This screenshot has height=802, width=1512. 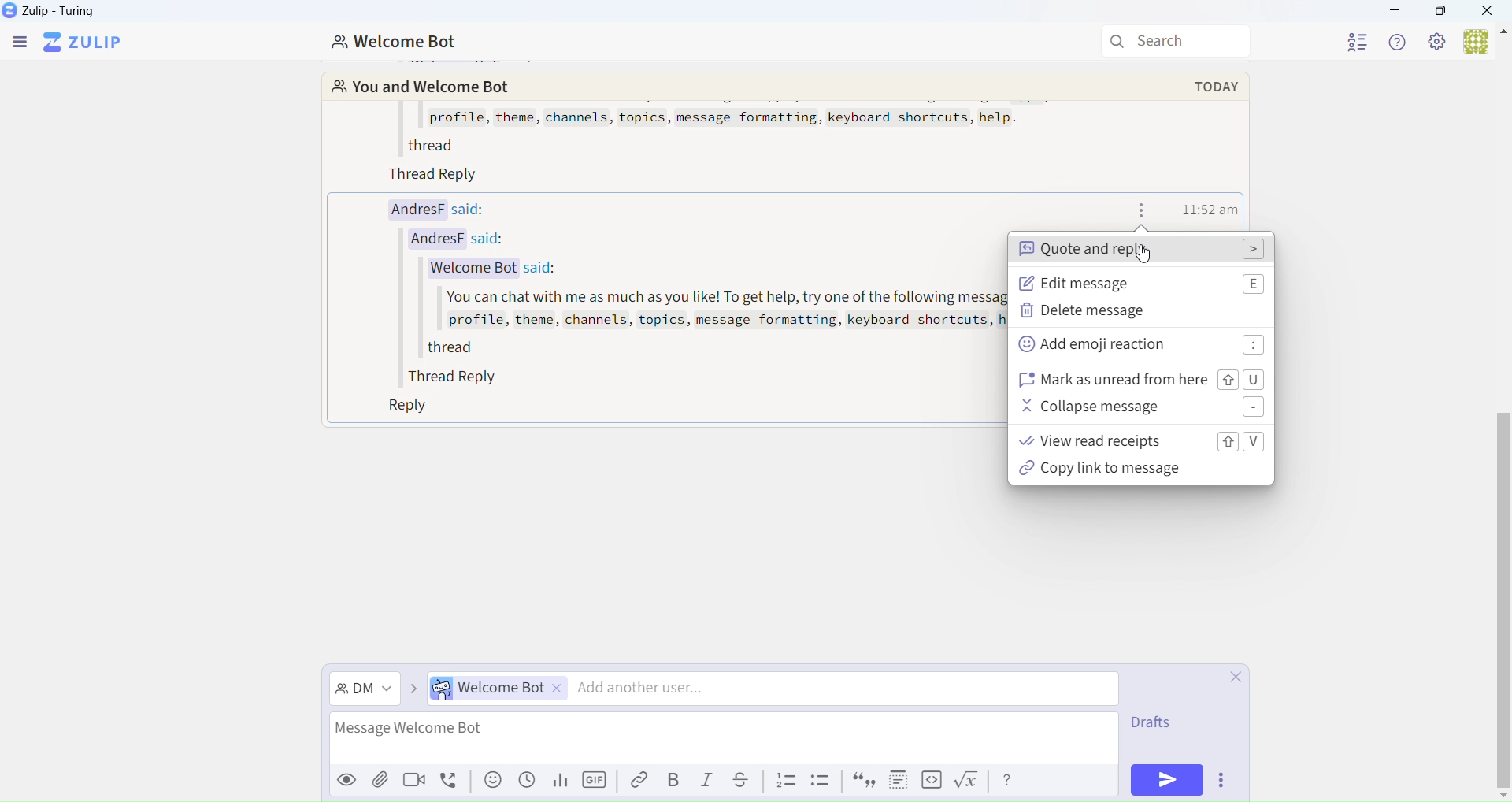 I want to click on Reply, so click(x=397, y=407).